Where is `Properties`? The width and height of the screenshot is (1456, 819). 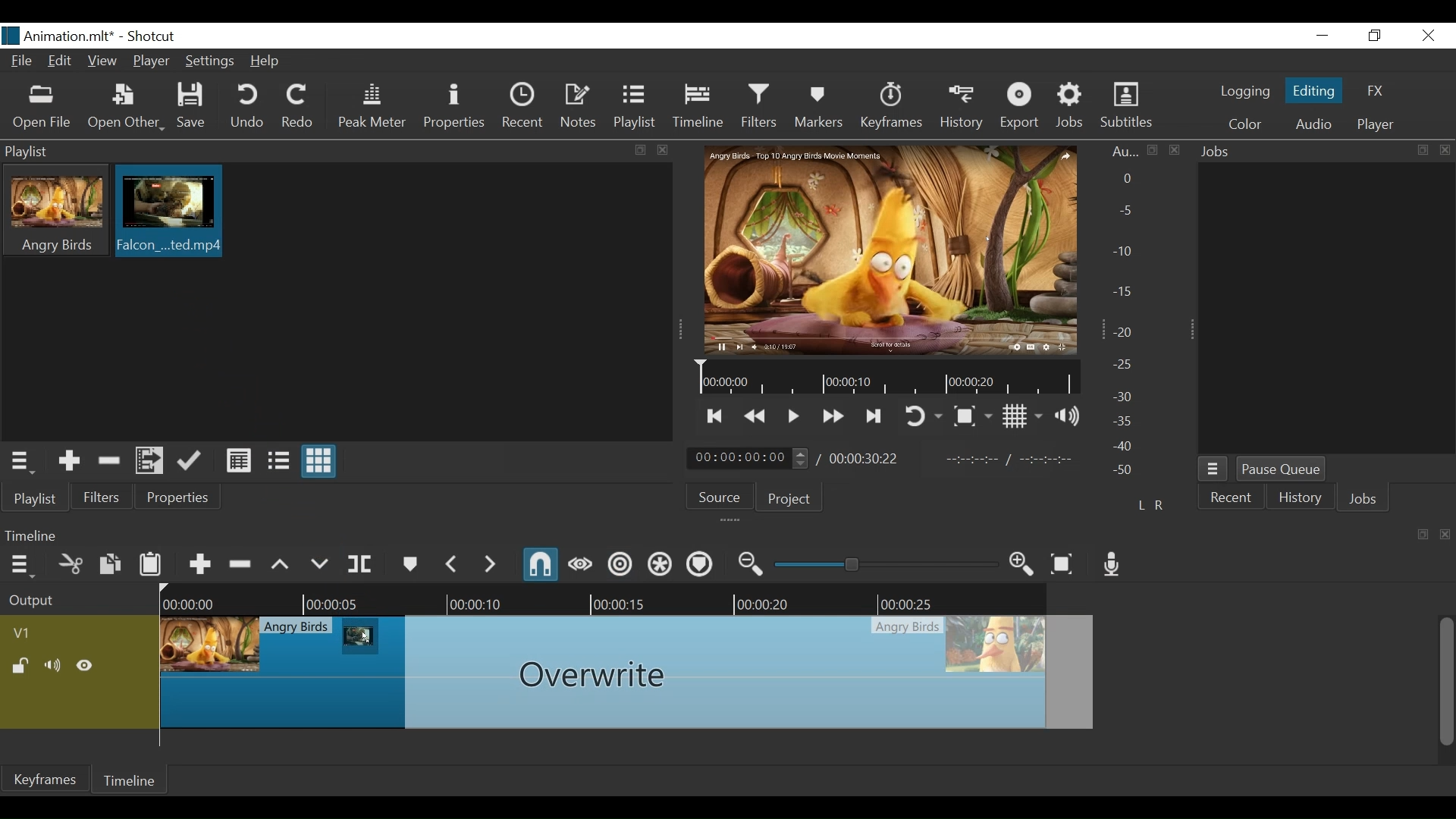 Properties is located at coordinates (179, 497).